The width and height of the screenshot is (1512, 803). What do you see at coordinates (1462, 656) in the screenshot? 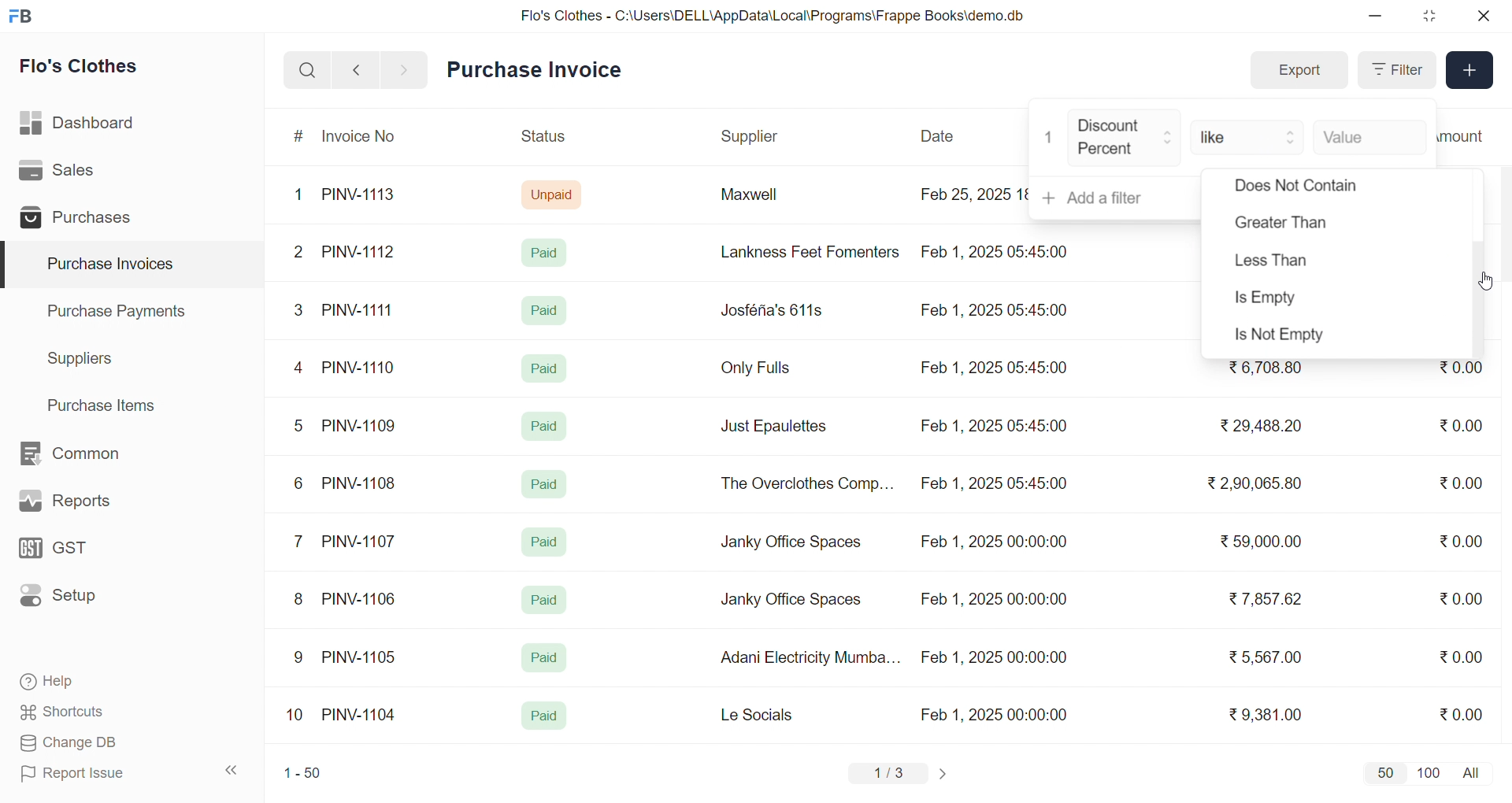
I see `₹0.00` at bounding box center [1462, 656].